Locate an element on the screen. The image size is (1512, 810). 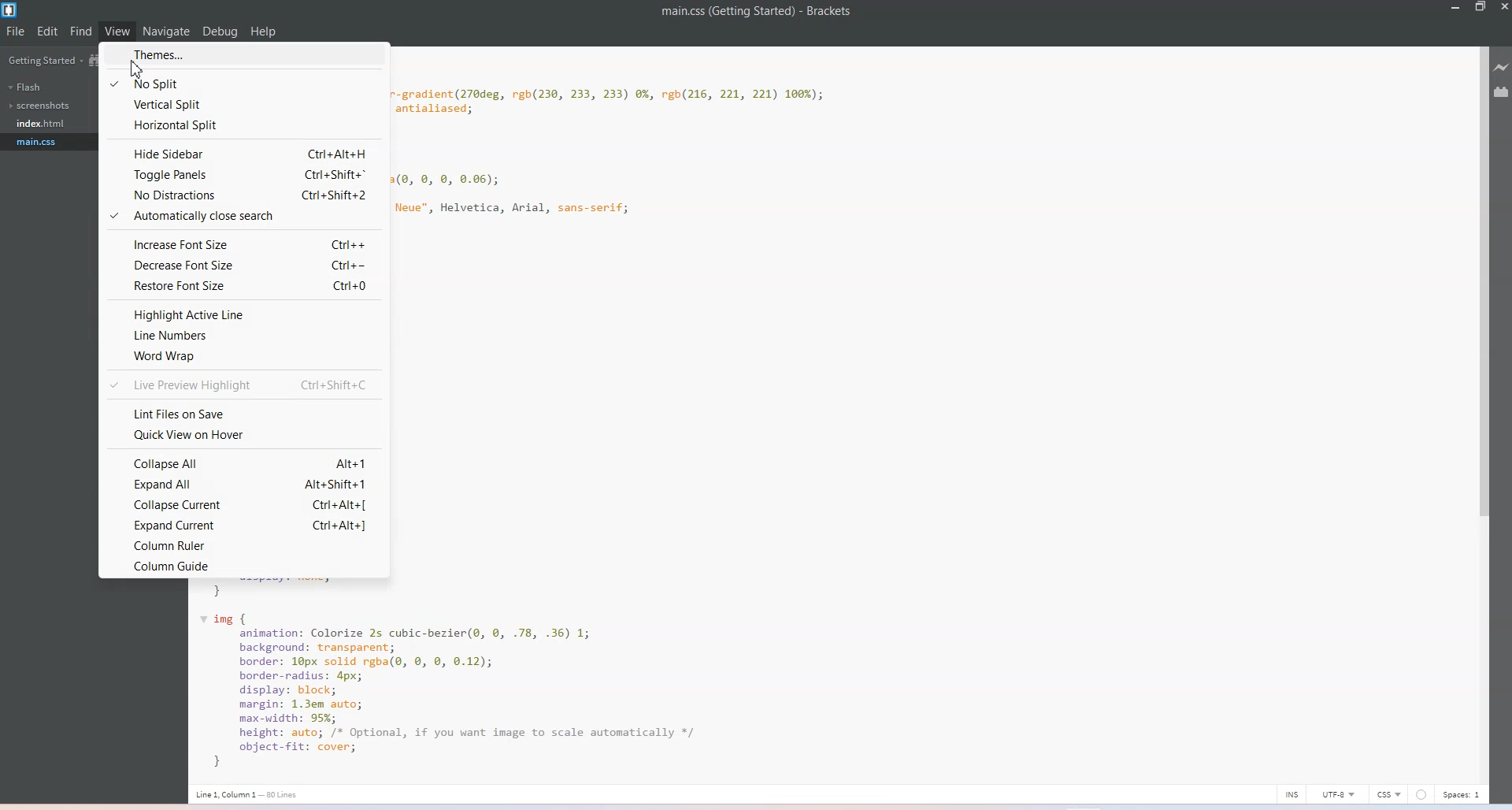
Collapse all is located at coordinates (243, 463).